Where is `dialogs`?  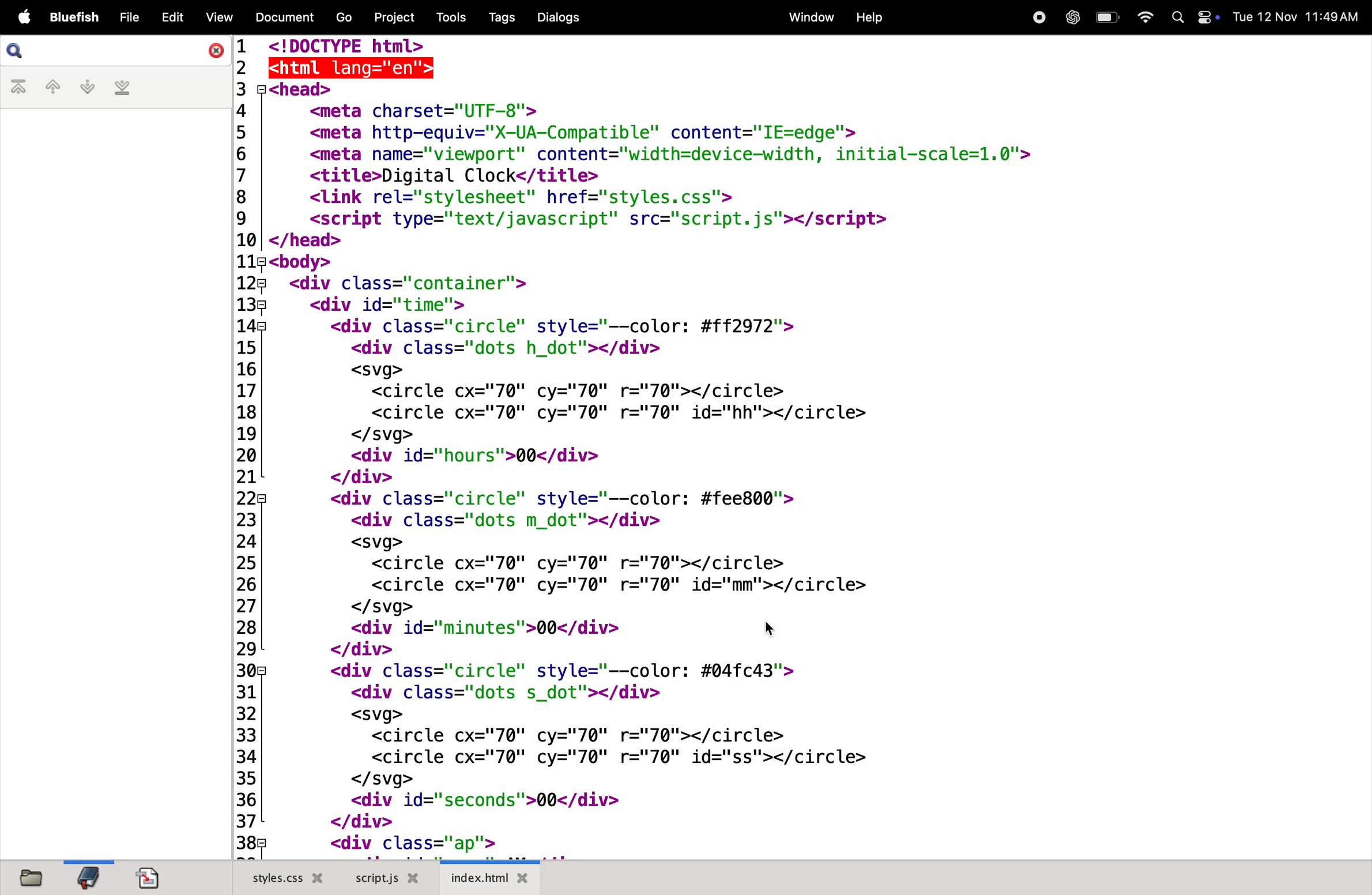 dialogs is located at coordinates (559, 17).